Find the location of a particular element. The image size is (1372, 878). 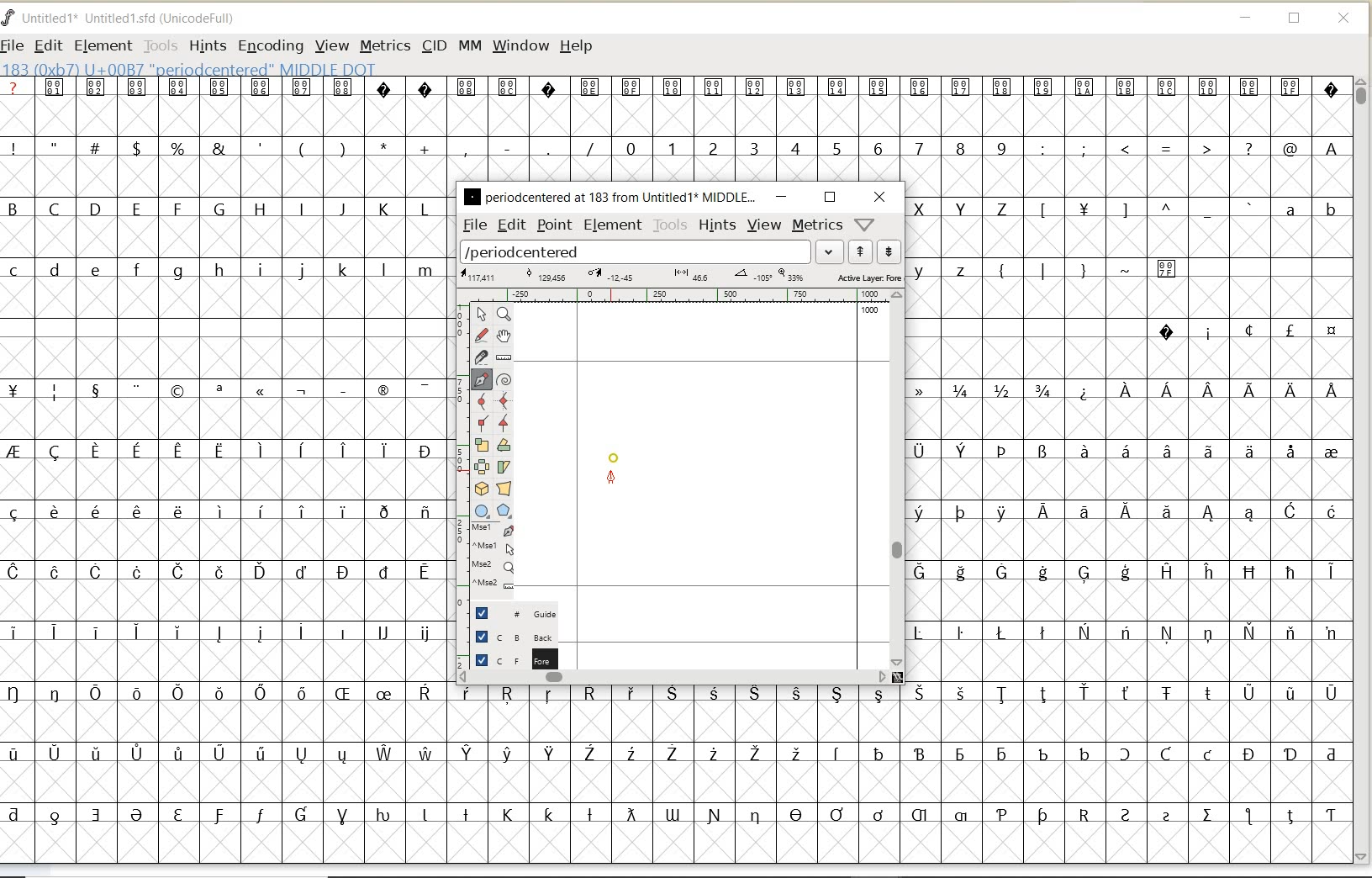

file is located at coordinates (472, 225).